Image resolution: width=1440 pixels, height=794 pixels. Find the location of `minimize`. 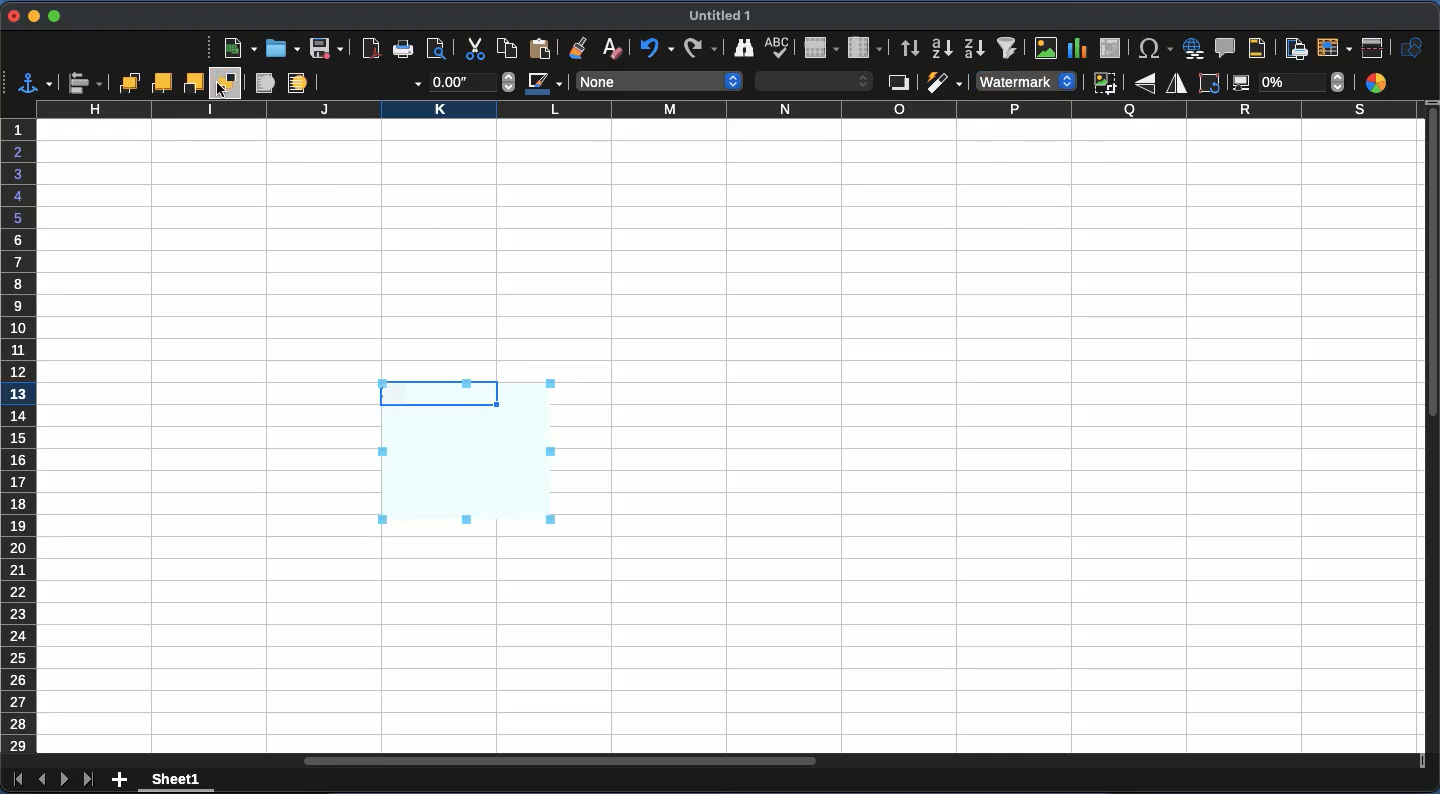

minimize is located at coordinates (33, 16).